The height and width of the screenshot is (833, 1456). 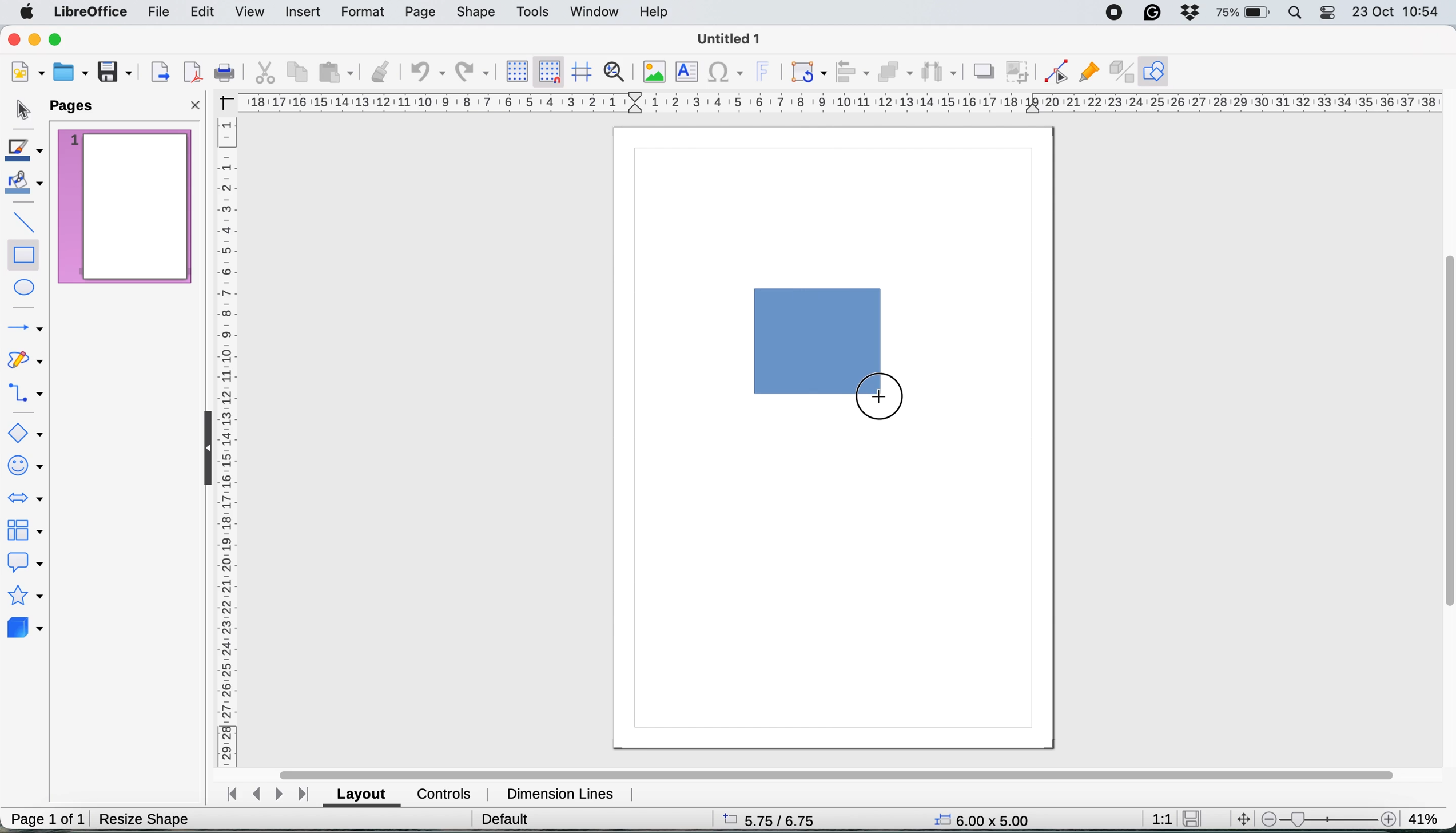 I want to click on insert text box, so click(x=689, y=72).